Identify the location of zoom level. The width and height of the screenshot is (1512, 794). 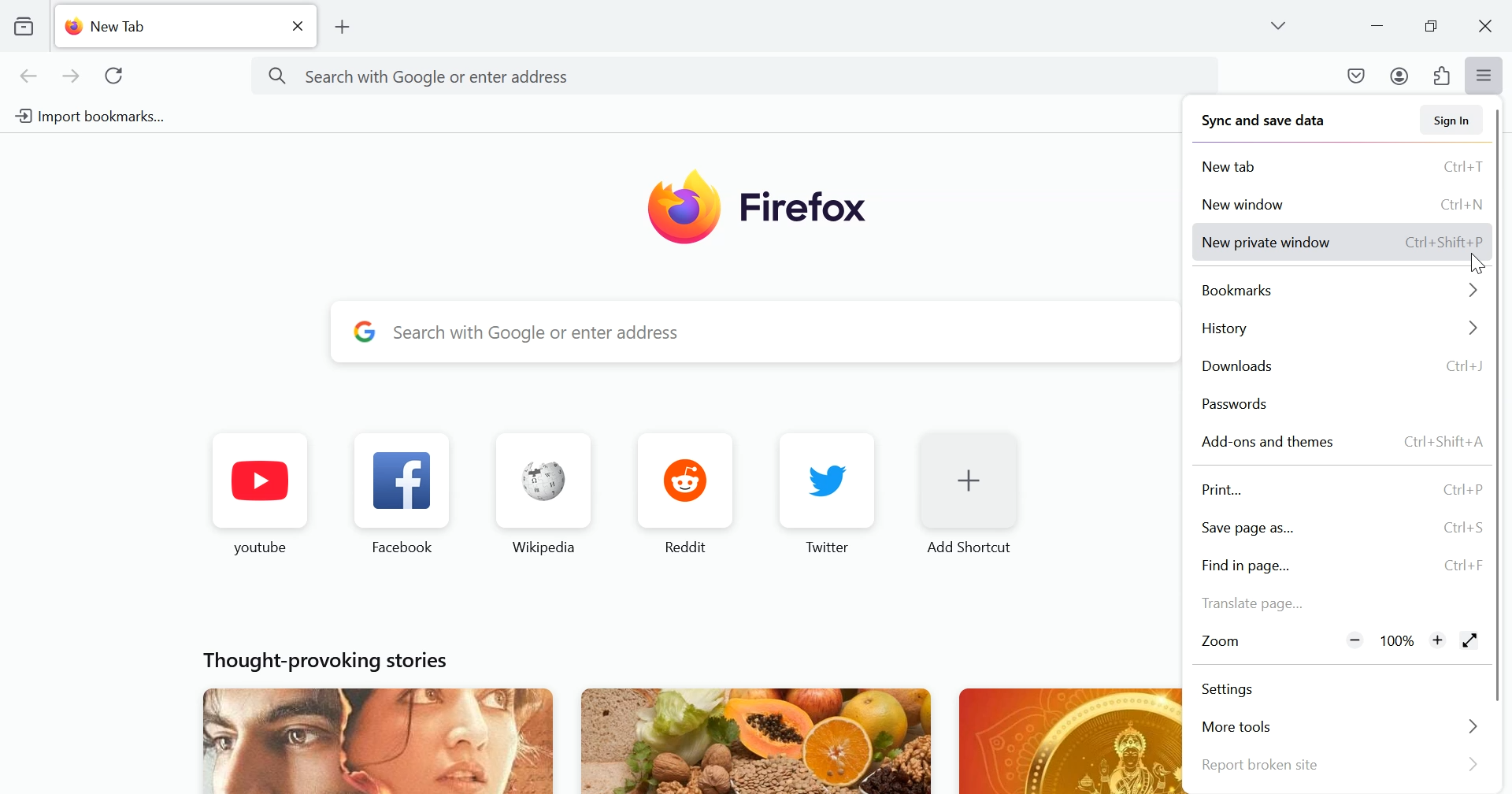
(1399, 640).